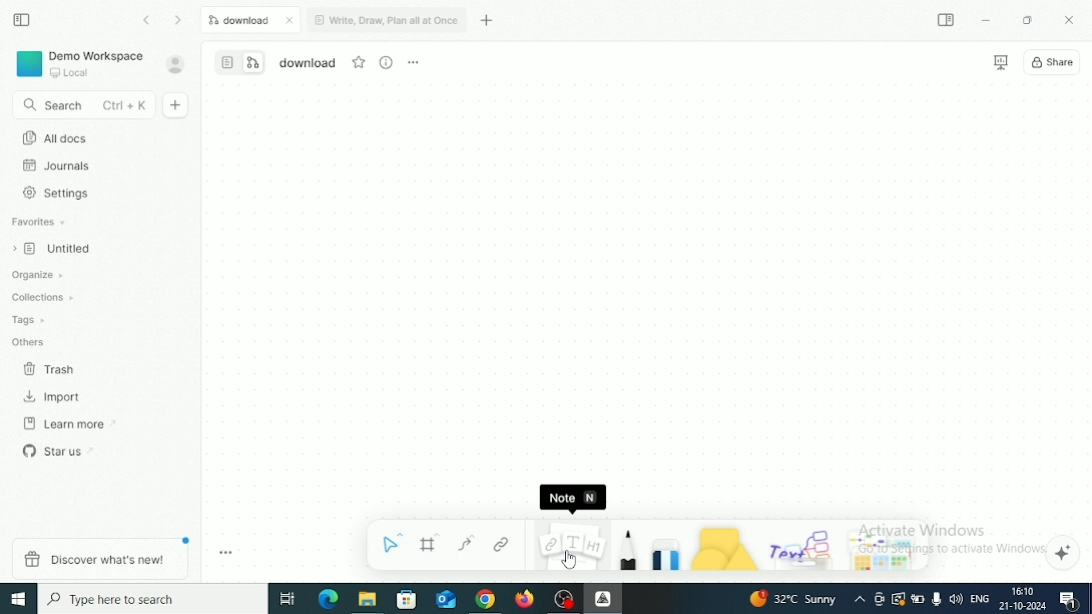 Image resolution: width=1092 pixels, height=614 pixels. I want to click on Presentation, so click(1001, 63).